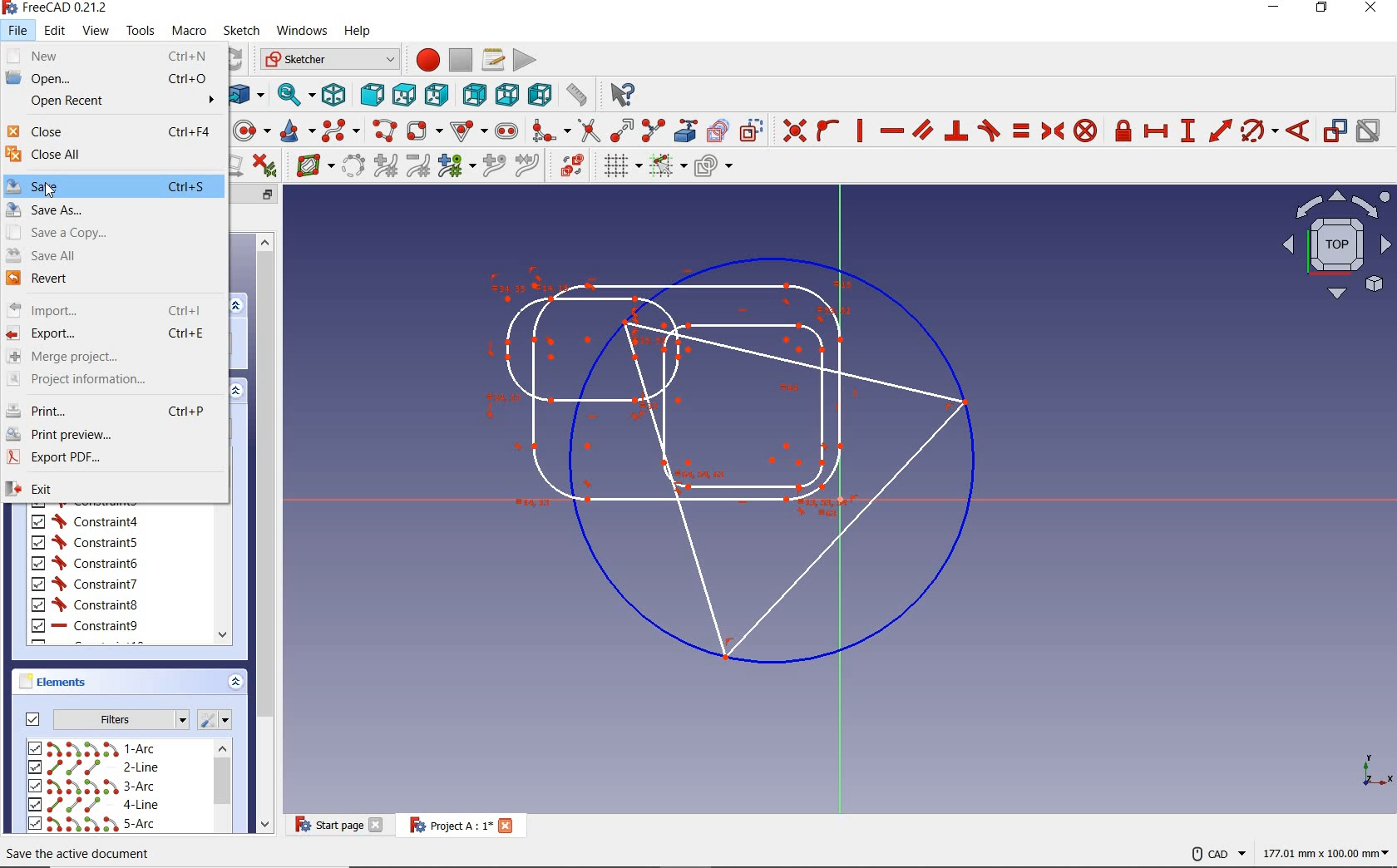 This screenshot has width=1397, height=868. Describe the element at coordinates (85, 521) in the screenshot. I see `constraint4` at that location.